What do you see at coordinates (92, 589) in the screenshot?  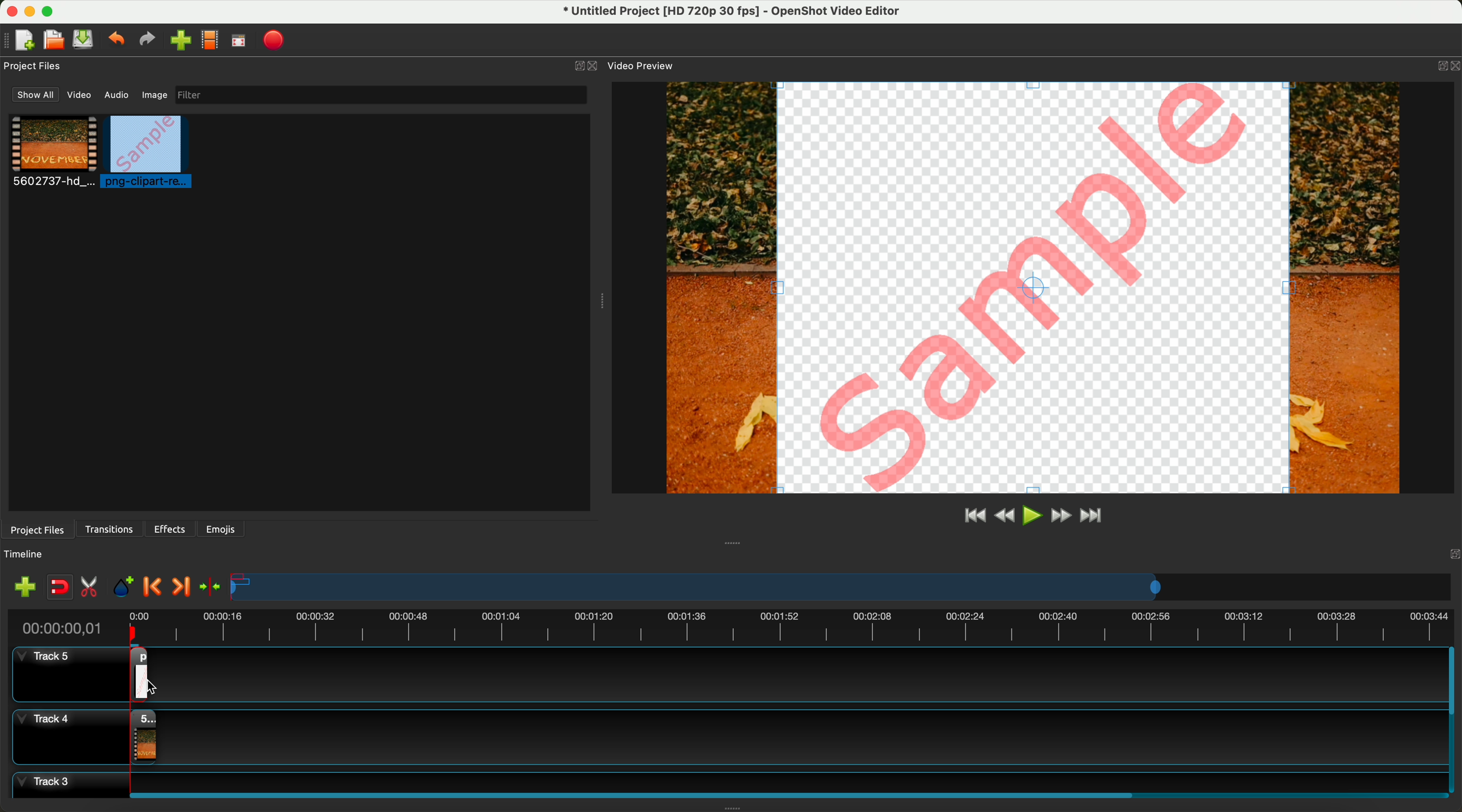 I see `enable razor` at bounding box center [92, 589].